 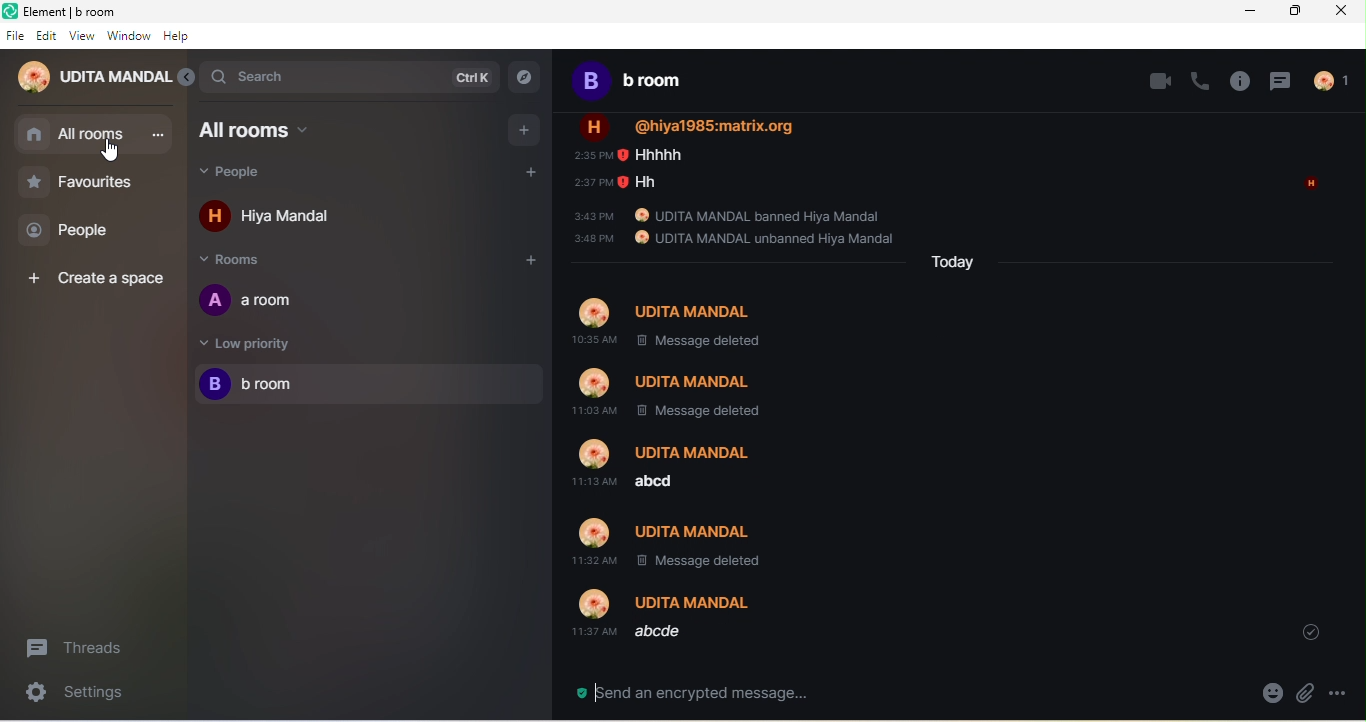 What do you see at coordinates (1237, 81) in the screenshot?
I see `info` at bounding box center [1237, 81].